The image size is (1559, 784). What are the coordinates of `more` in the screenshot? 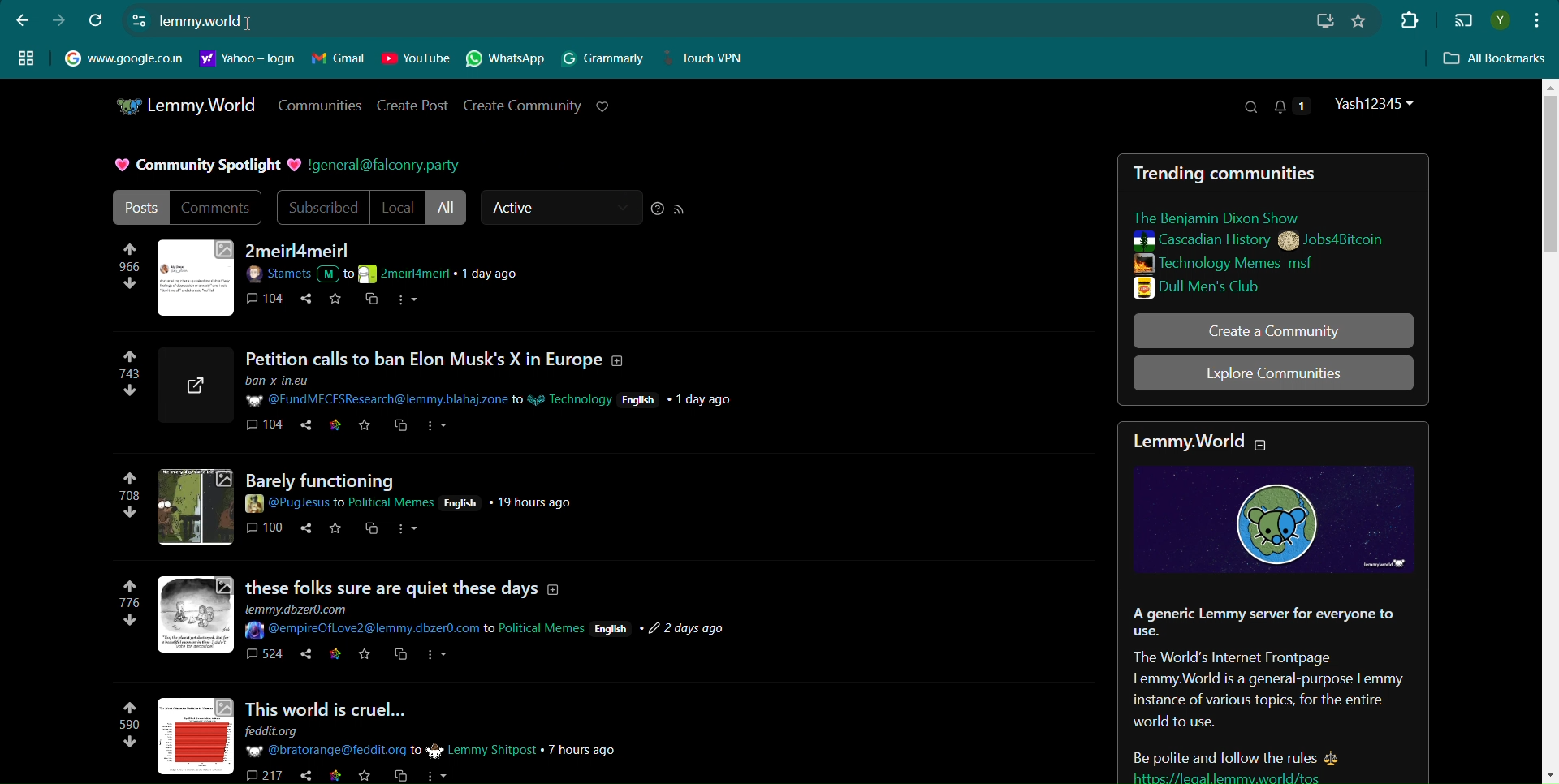 It's located at (438, 774).